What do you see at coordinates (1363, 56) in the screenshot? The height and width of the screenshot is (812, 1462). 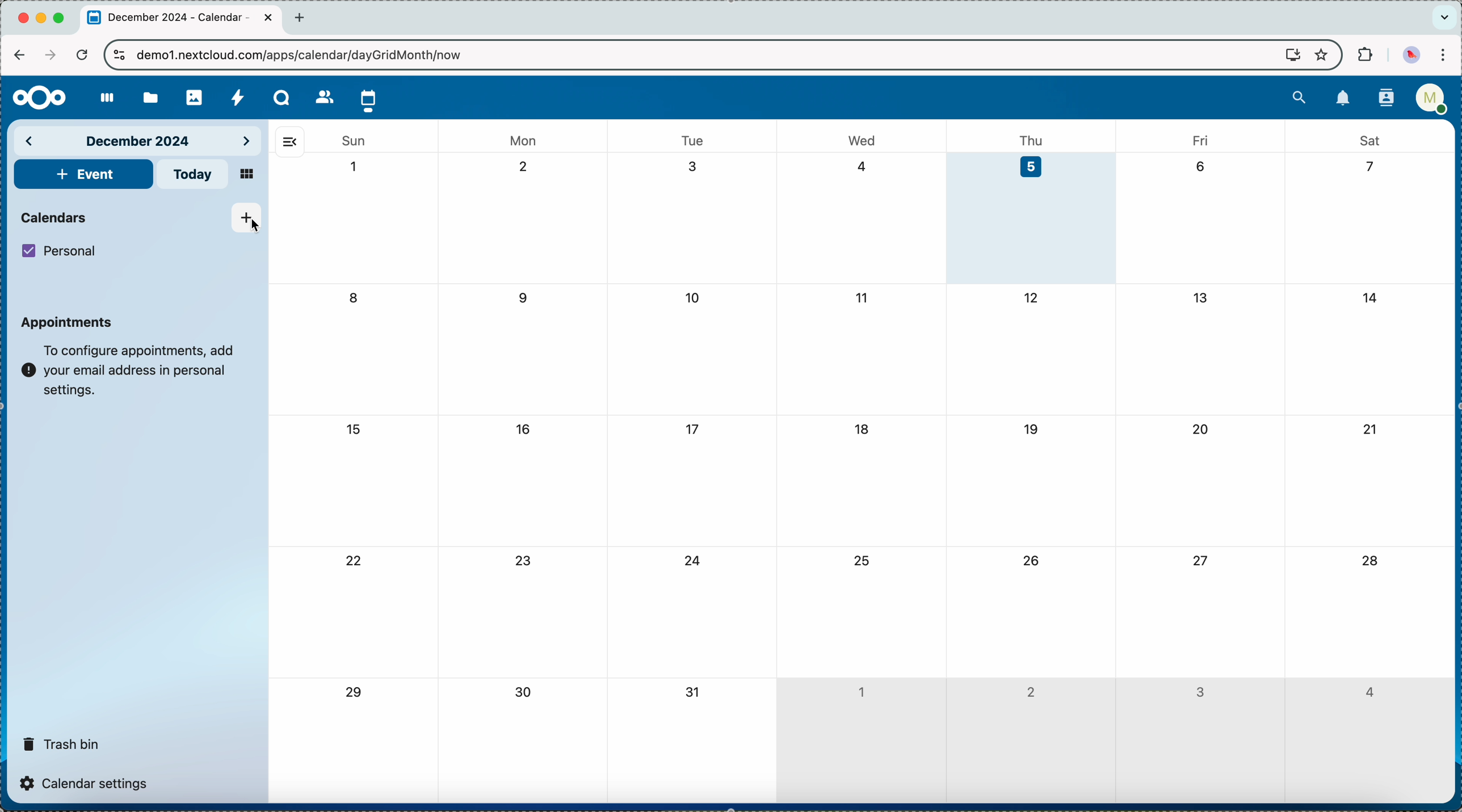 I see `extensions` at bounding box center [1363, 56].